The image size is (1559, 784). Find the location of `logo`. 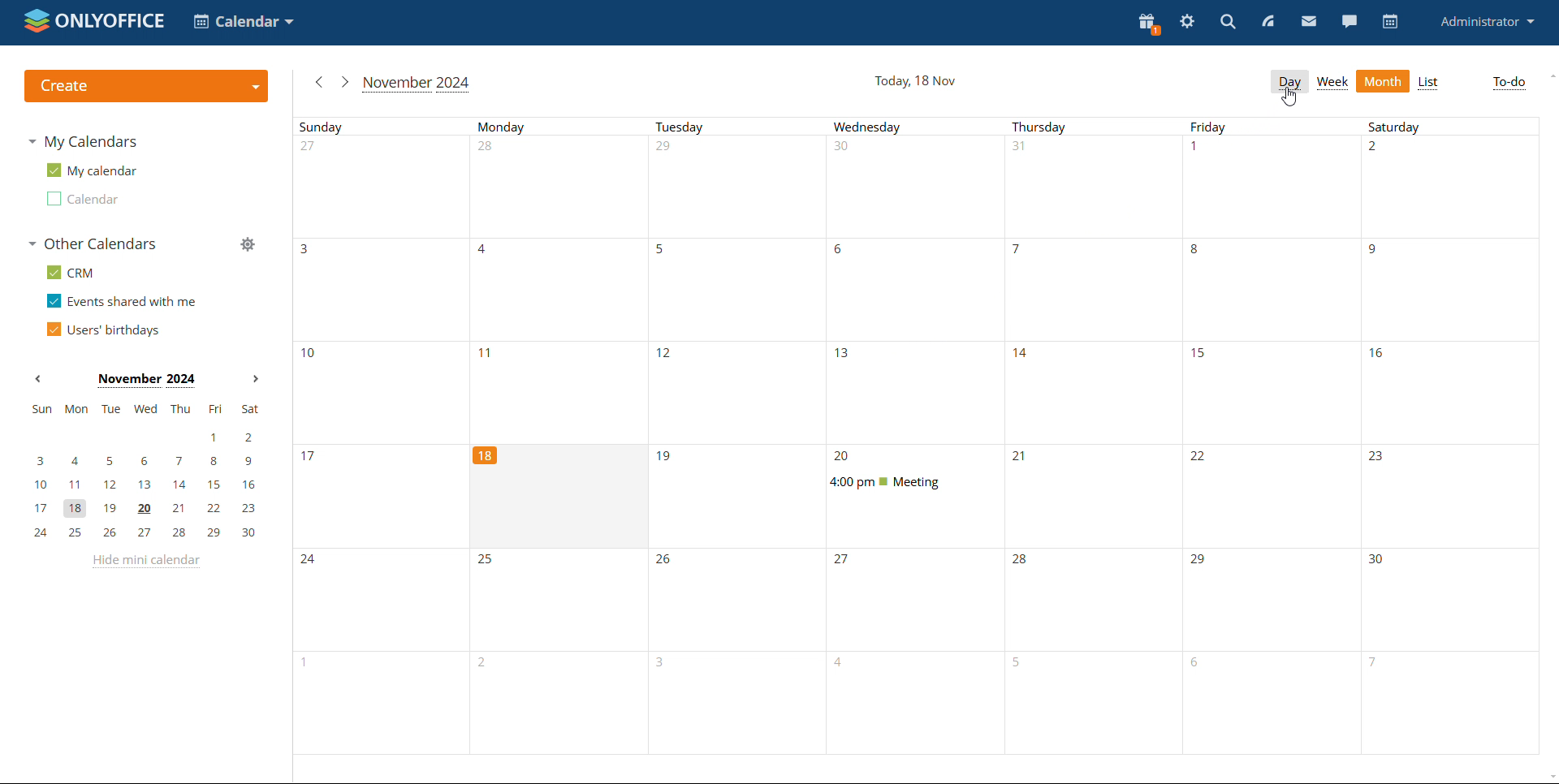

logo is located at coordinates (96, 21).